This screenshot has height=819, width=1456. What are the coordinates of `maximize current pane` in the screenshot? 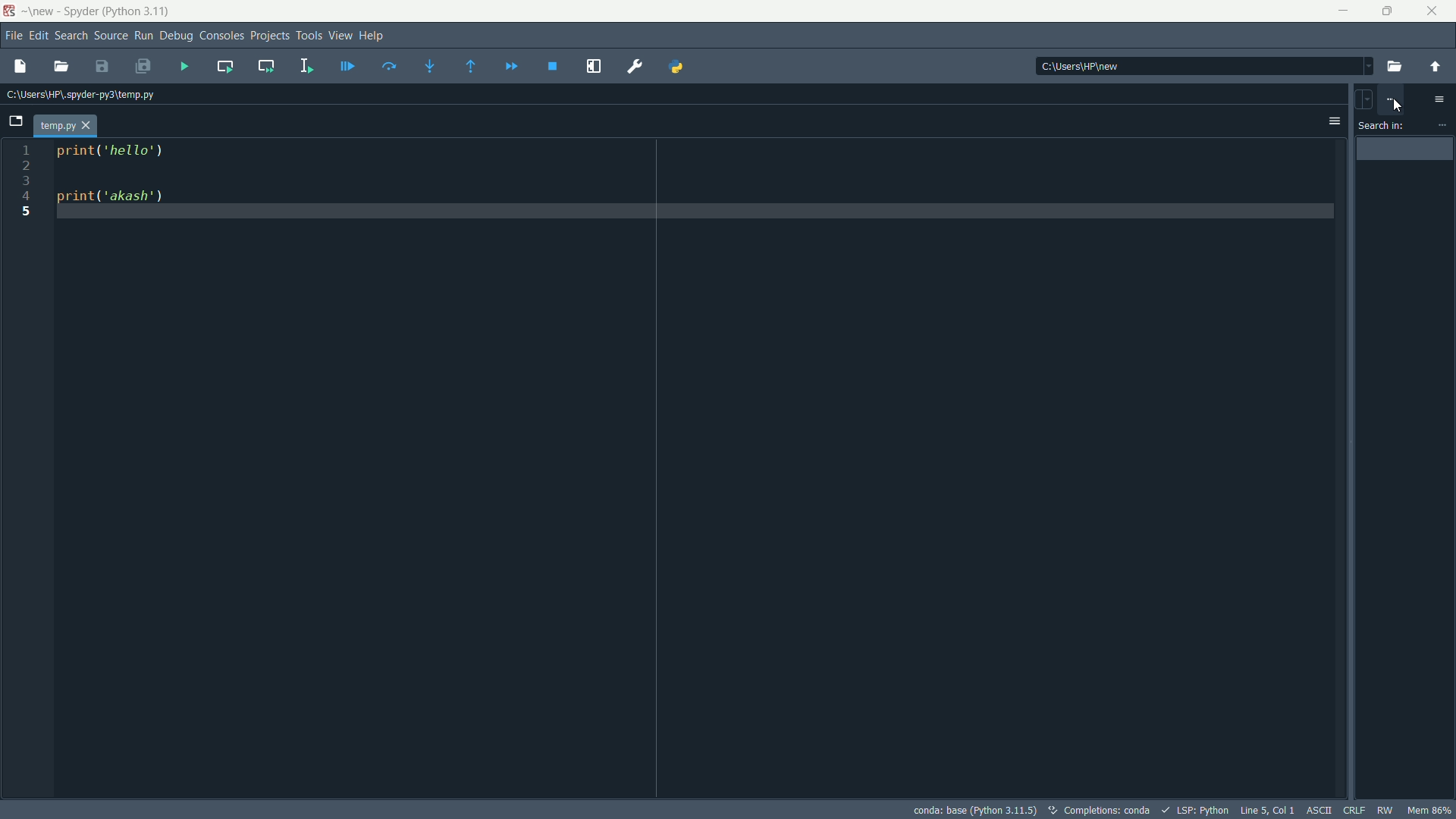 It's located at (592, 65).